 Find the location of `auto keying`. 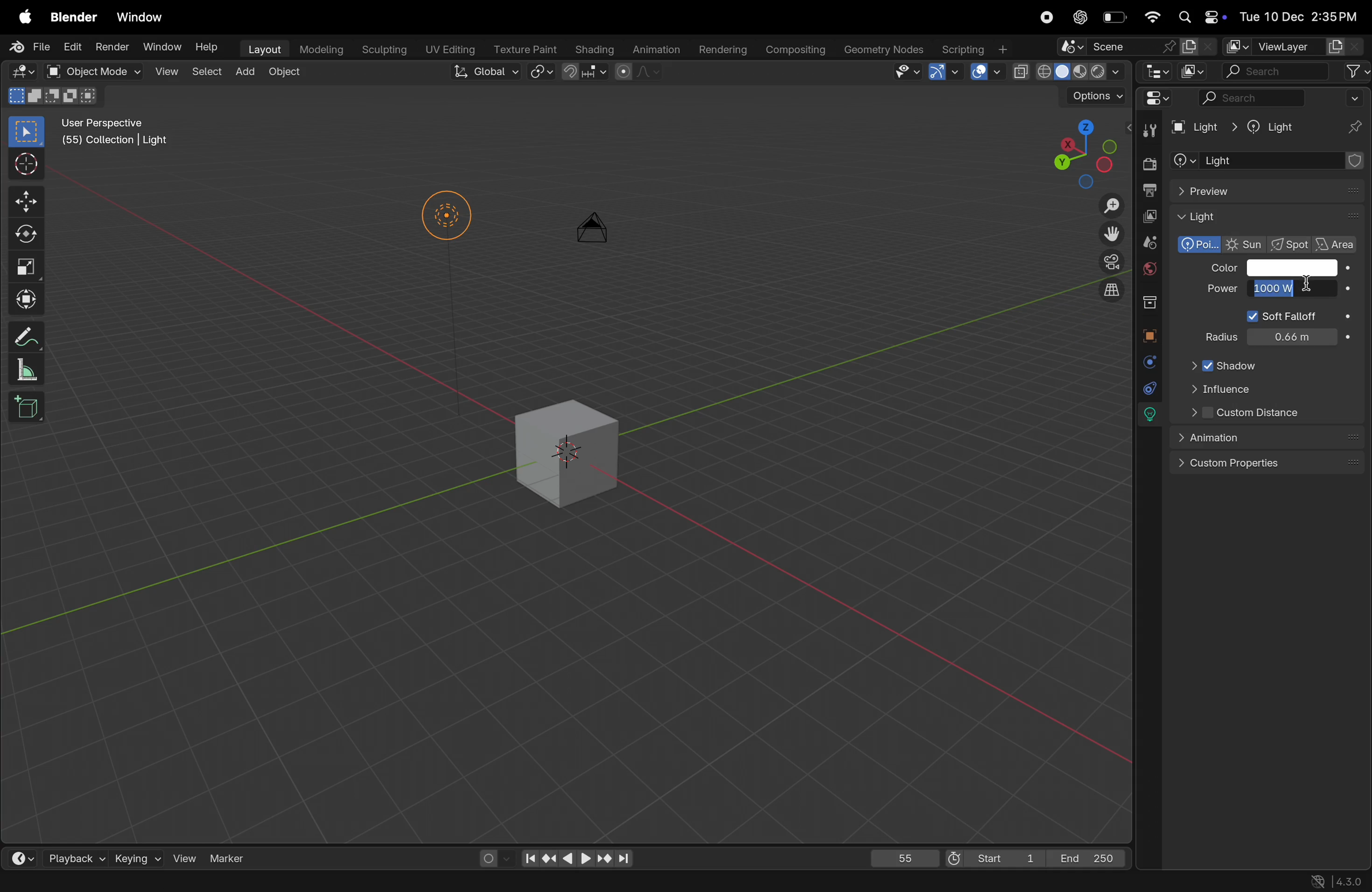

auto keying is located at coordinates (492, 857).